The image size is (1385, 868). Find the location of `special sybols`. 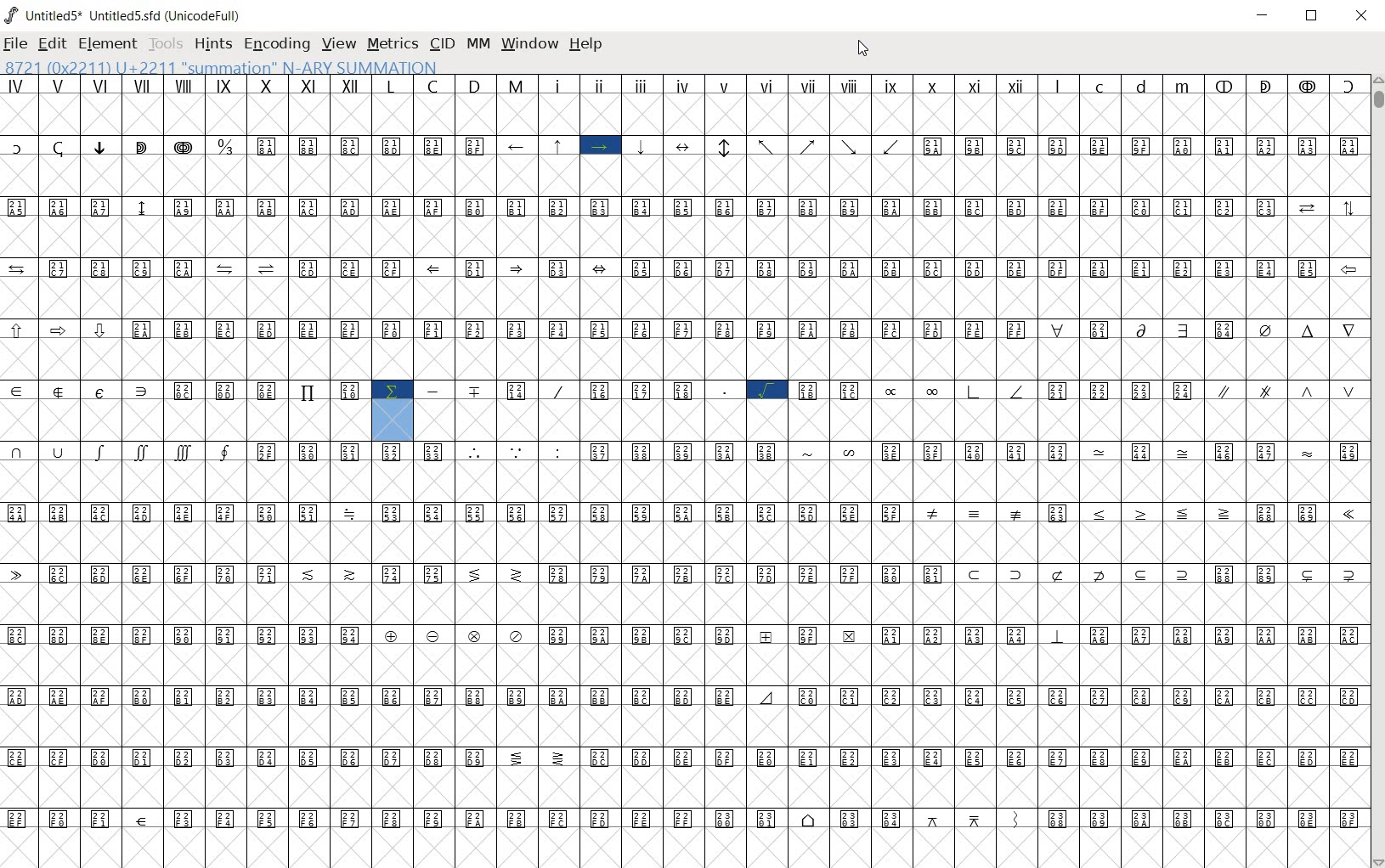

special sybols is located at coordinates (686, 635).